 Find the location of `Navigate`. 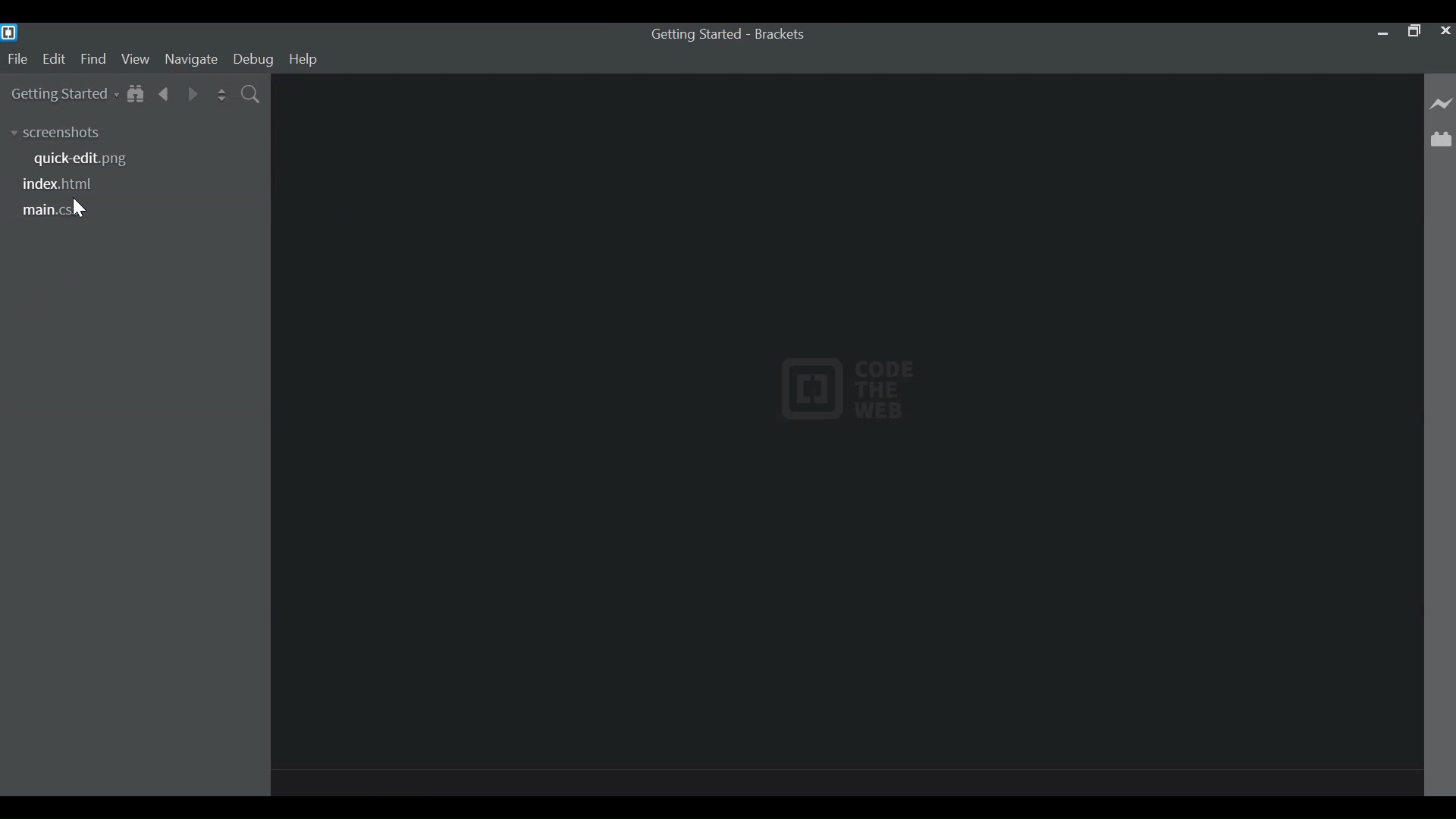

Navigate is located at coordinates (190, 60).